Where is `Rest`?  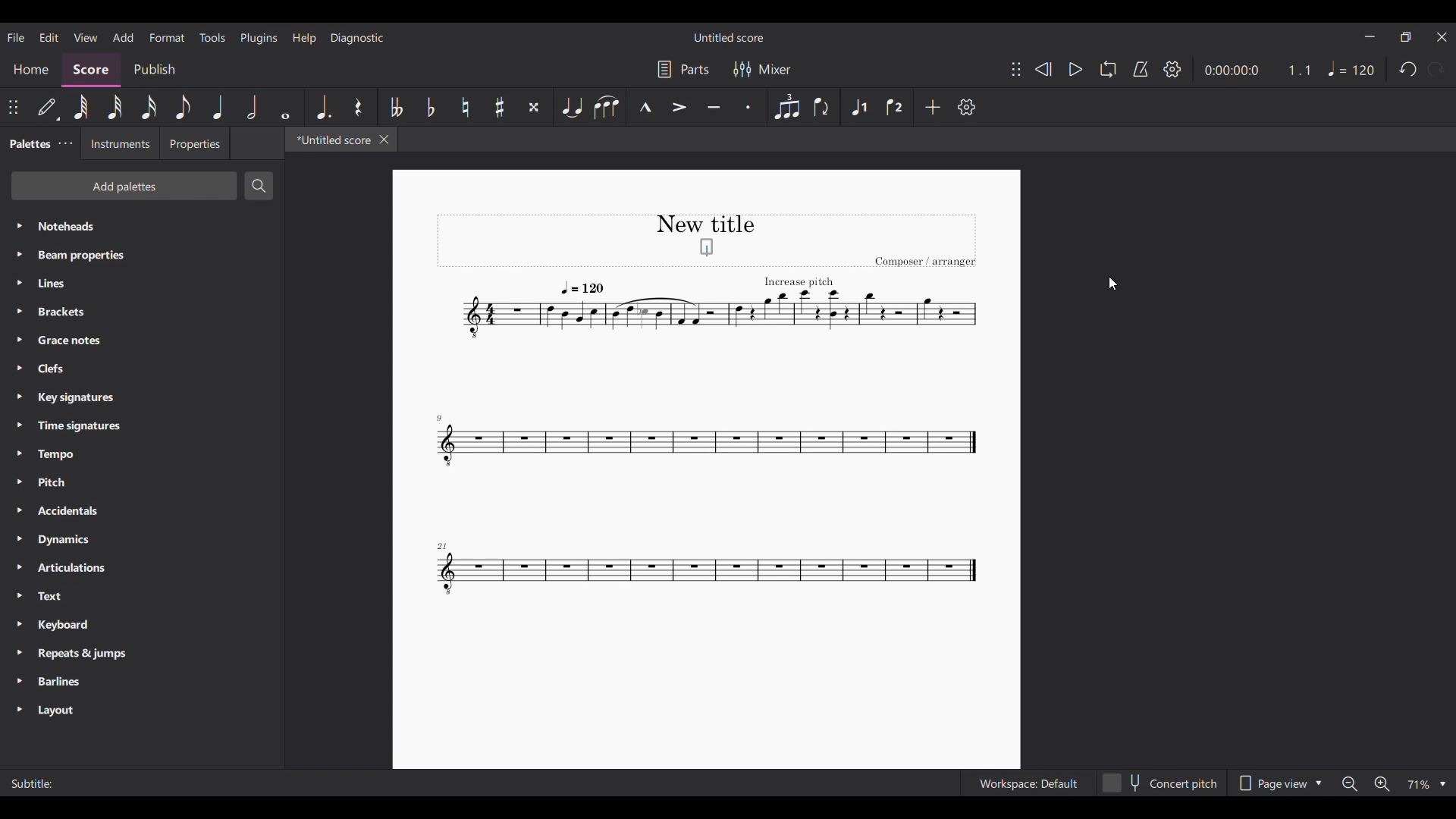 Rest is located at coordinates (359, 107).